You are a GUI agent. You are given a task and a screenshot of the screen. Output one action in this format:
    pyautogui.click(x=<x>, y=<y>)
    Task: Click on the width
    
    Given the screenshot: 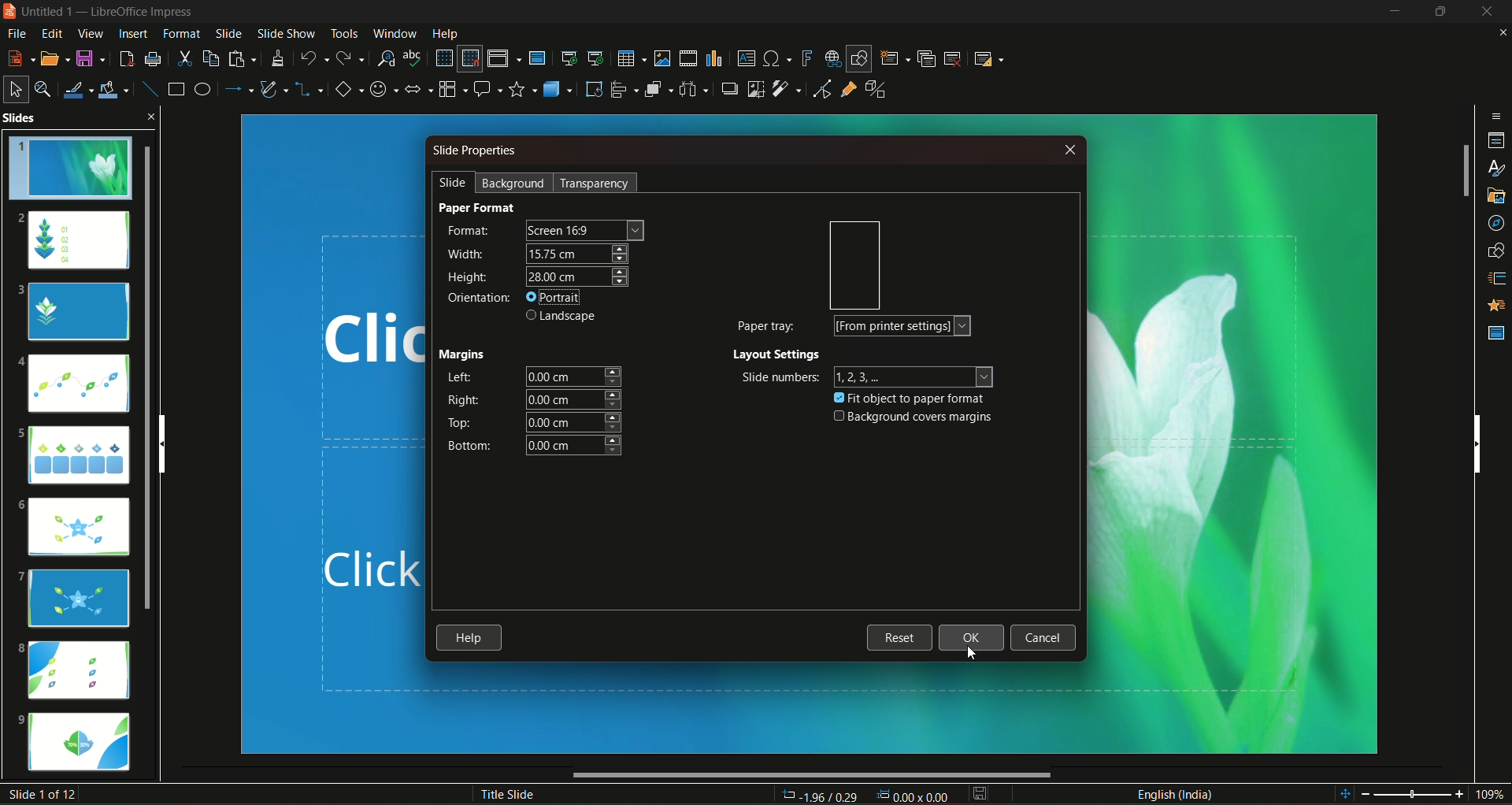 What is the action you would take?
    pyautogui.click(x=466, y=252)
    